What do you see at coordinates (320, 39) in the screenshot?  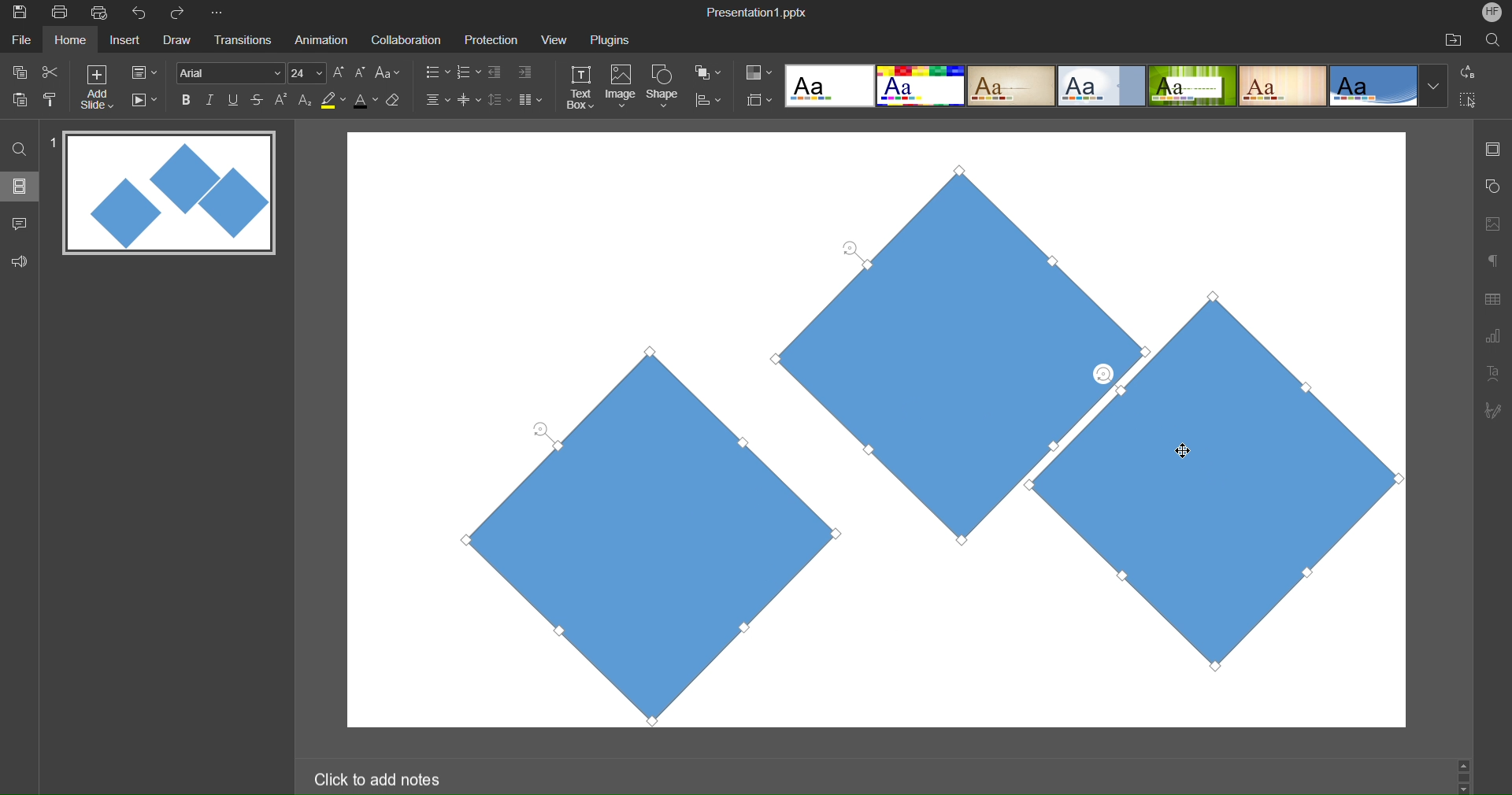 I see `Animation` at bounding box center [320, 39].